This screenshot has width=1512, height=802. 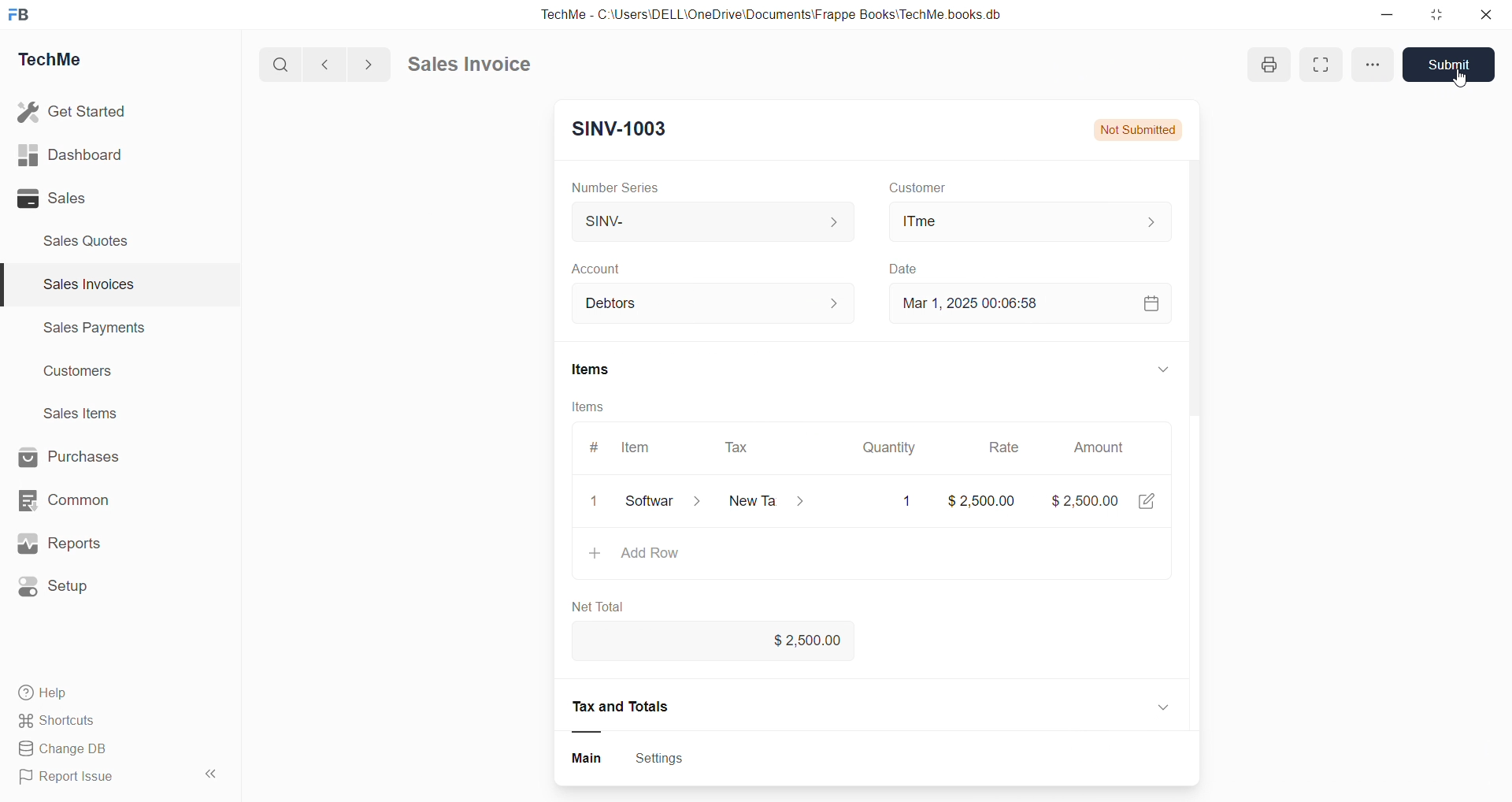 I want to click on NewTa >, so click(x=767, y=502).